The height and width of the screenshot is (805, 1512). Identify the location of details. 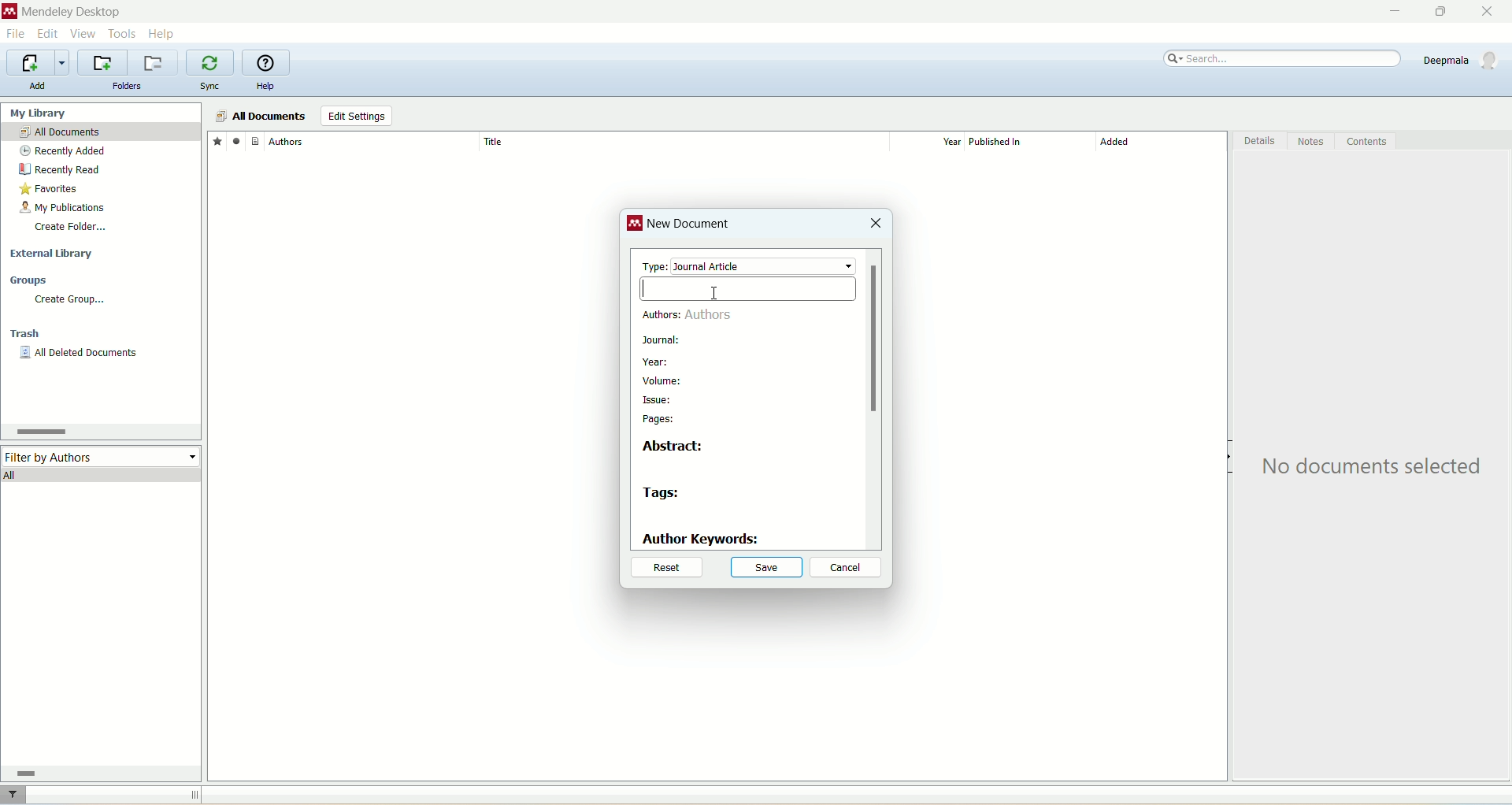
(1261, 143).